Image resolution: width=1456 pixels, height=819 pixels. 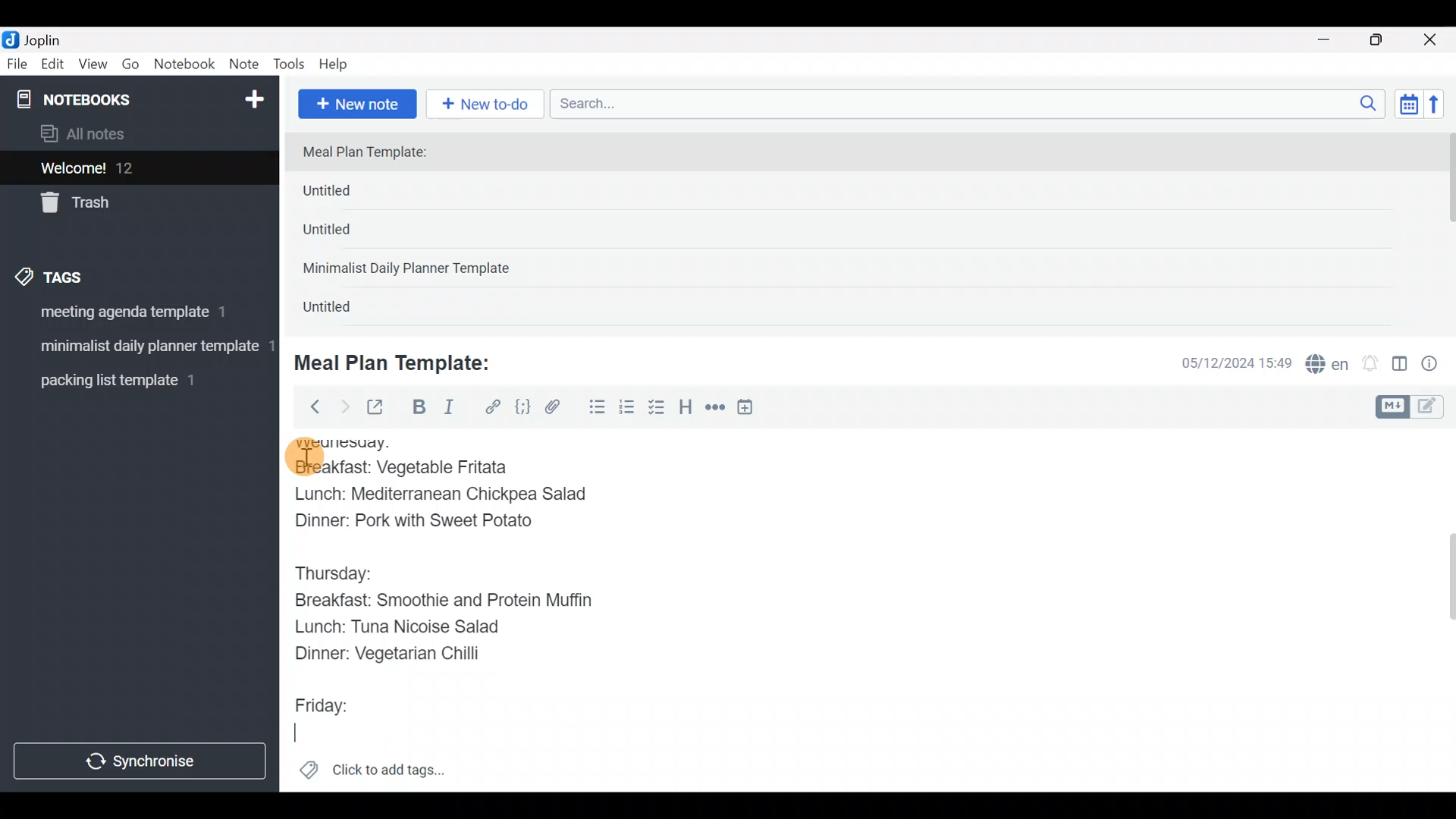 What do you see at coordinates (309, 406) in the screenshot?
I see `Back` at bounding box center [309, 406].